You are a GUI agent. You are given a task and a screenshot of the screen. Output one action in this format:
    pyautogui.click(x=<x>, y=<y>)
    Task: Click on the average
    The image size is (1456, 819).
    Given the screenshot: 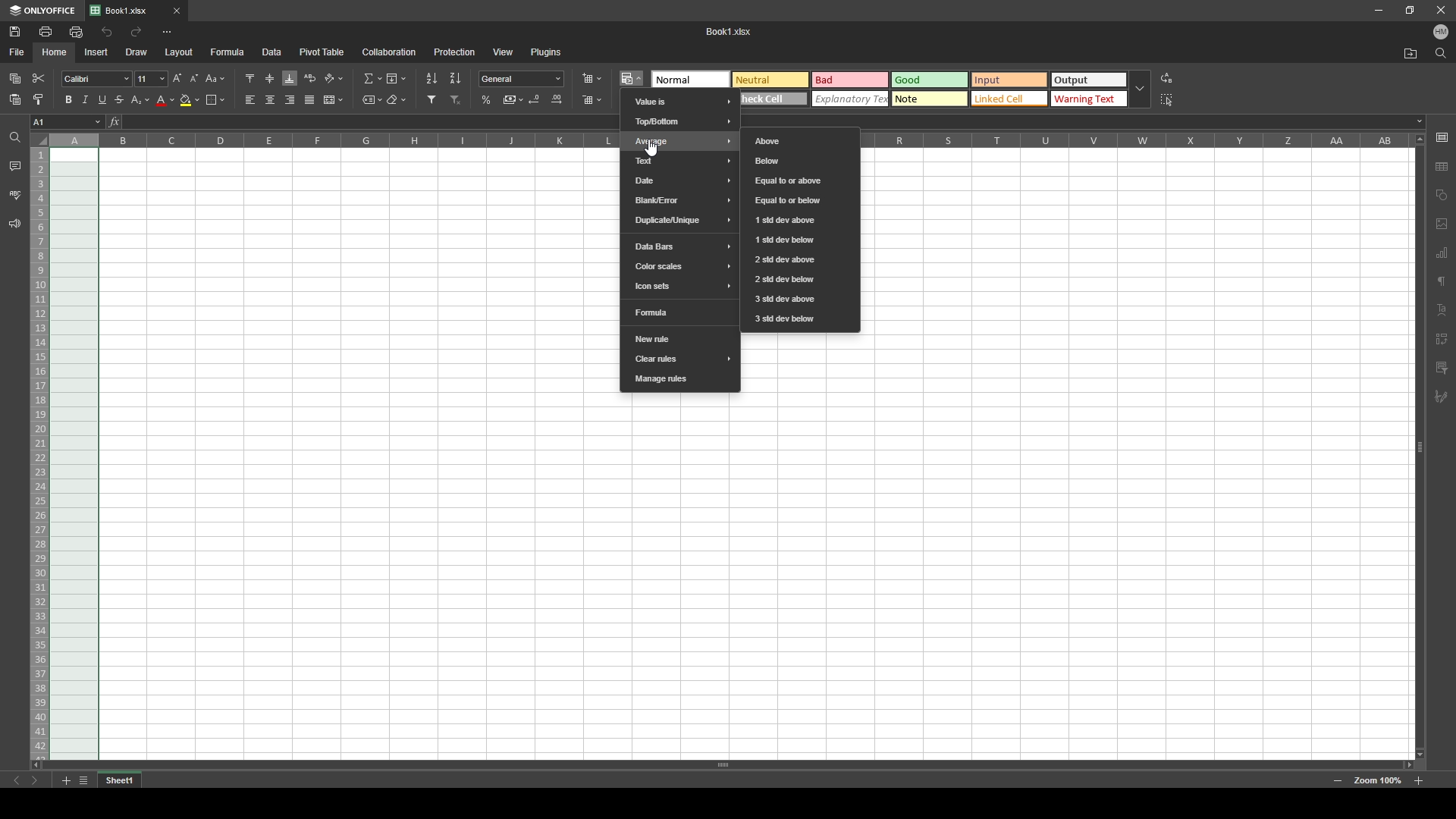 What is the action you would take?
    pyautogui.click(x=681, y=141)
    